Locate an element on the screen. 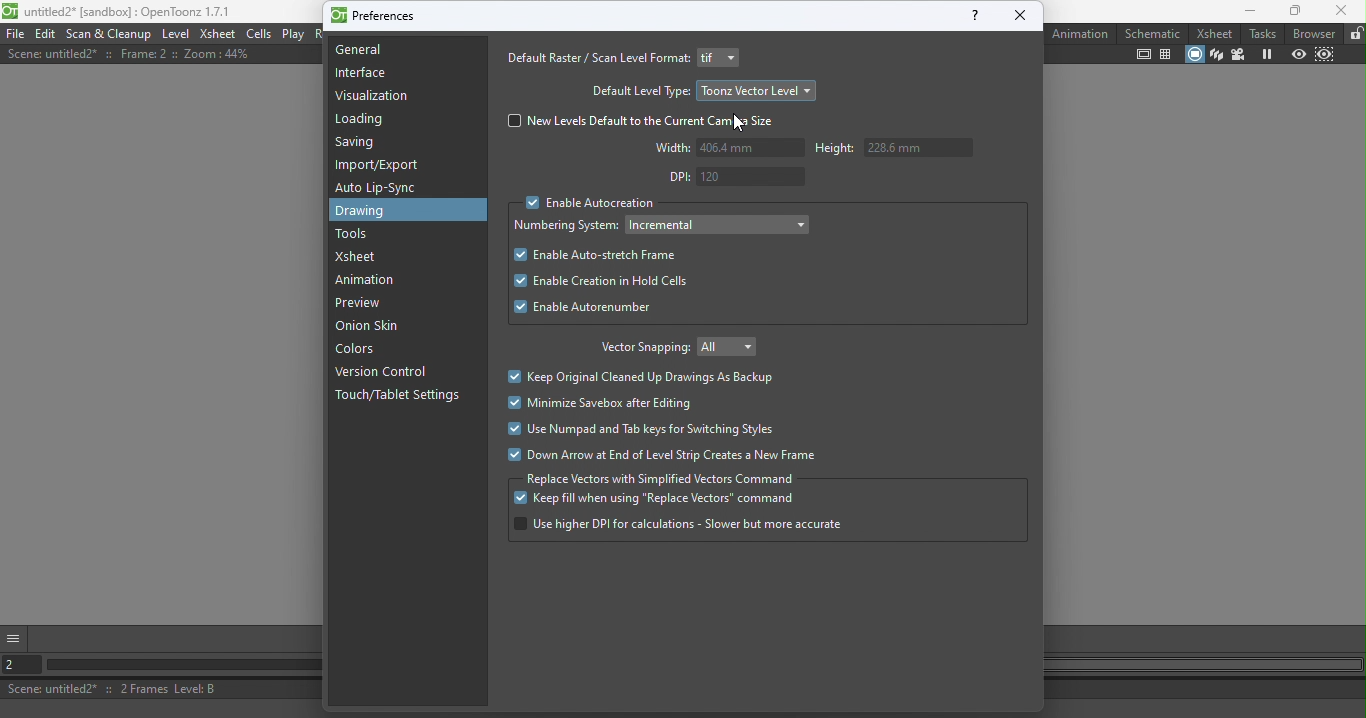 The image size is (1366, 718). General is located at coordinates (403, 49).